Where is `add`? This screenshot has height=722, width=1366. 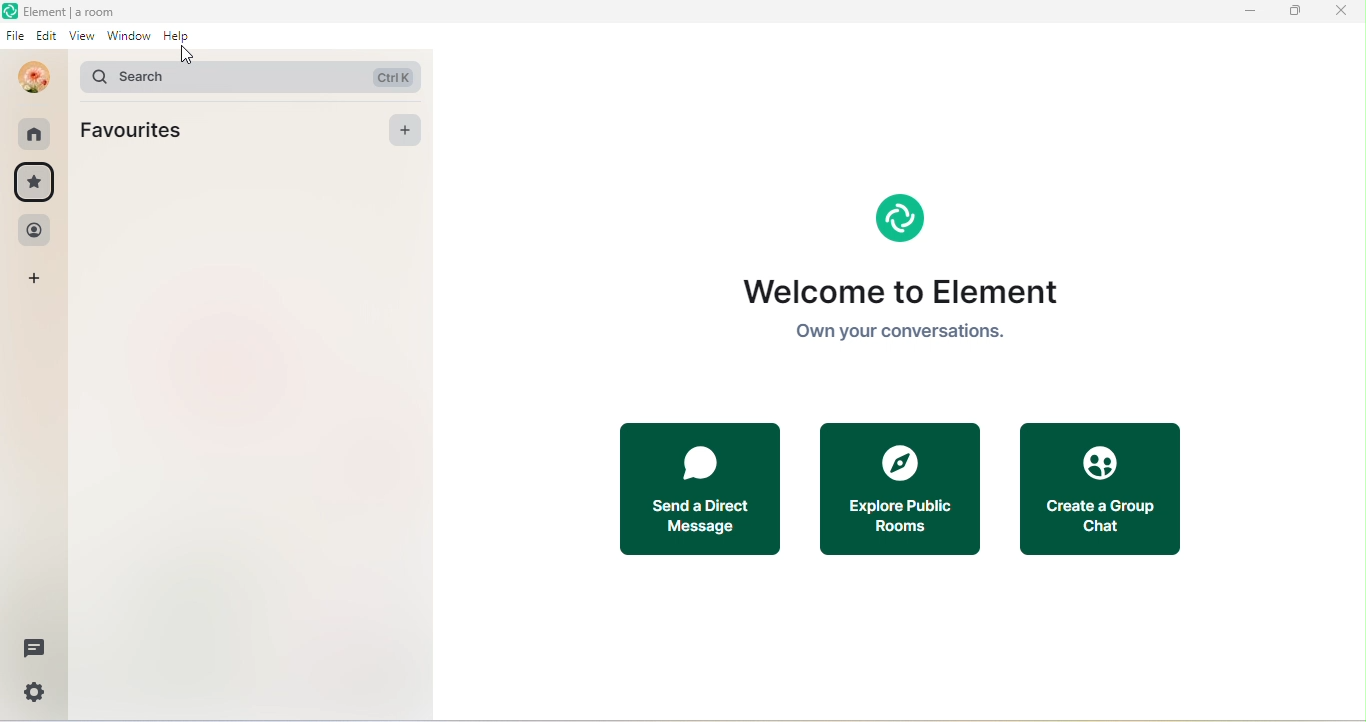
add is located at coordinates (35, 283).